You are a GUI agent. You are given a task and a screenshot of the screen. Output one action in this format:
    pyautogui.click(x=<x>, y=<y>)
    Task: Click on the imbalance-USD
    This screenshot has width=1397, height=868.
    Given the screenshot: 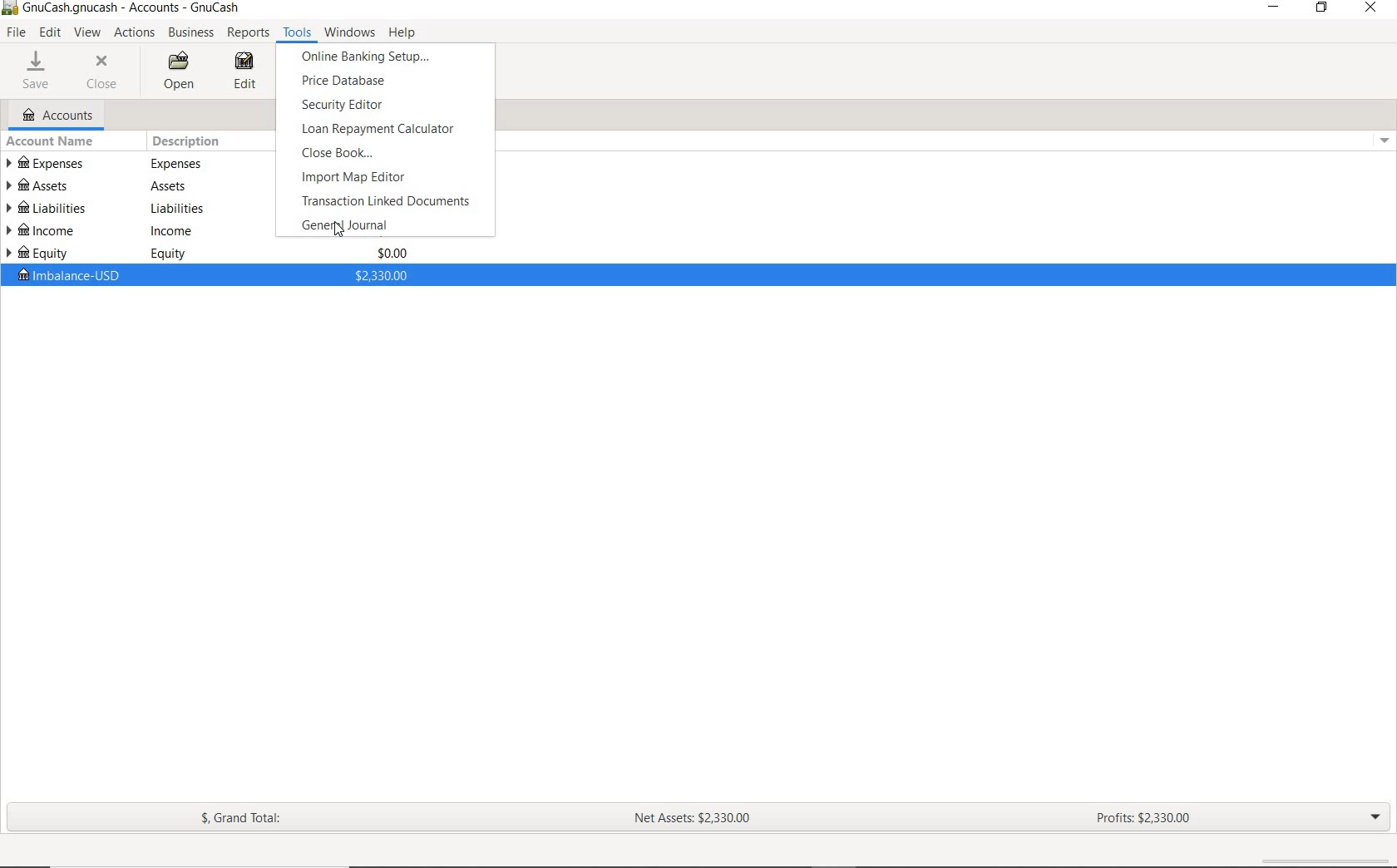 What is the action you would take?
    pyautogui.click(x=210, y=277)
    